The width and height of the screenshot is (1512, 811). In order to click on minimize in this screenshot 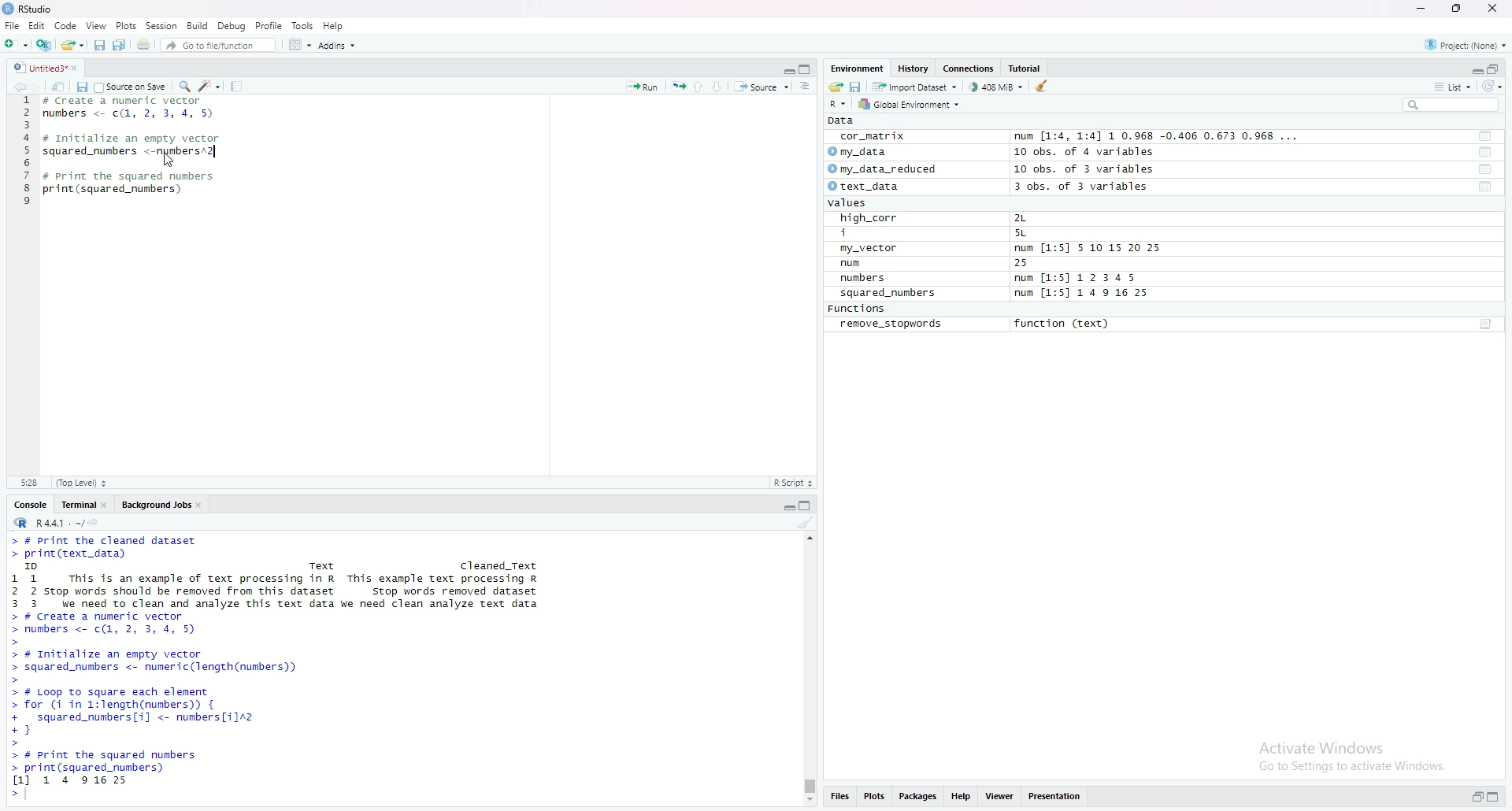, I will do `click(1420, 9)`.